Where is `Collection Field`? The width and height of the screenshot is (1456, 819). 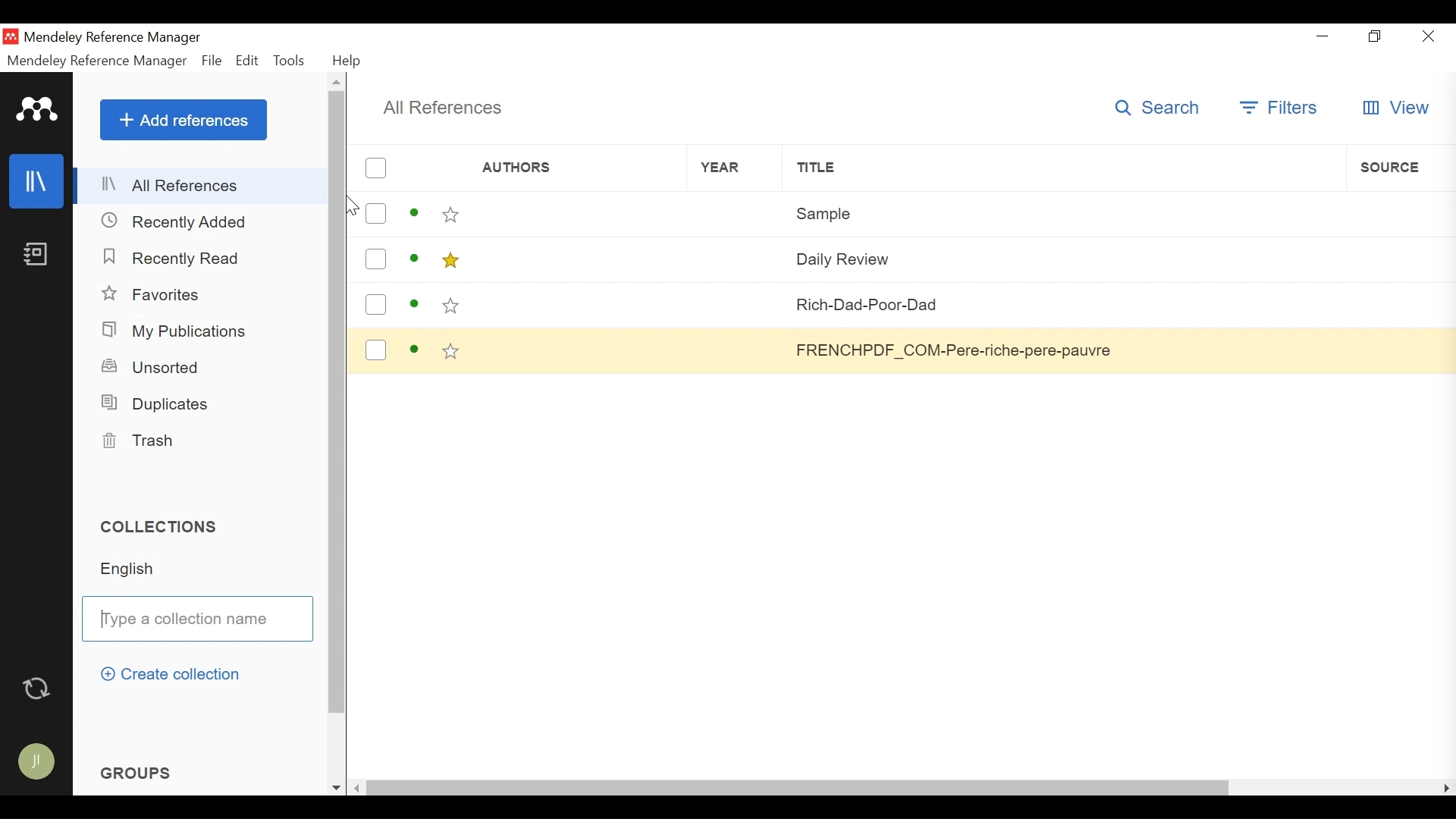 Collection Field is located at coordinates (196, 618).